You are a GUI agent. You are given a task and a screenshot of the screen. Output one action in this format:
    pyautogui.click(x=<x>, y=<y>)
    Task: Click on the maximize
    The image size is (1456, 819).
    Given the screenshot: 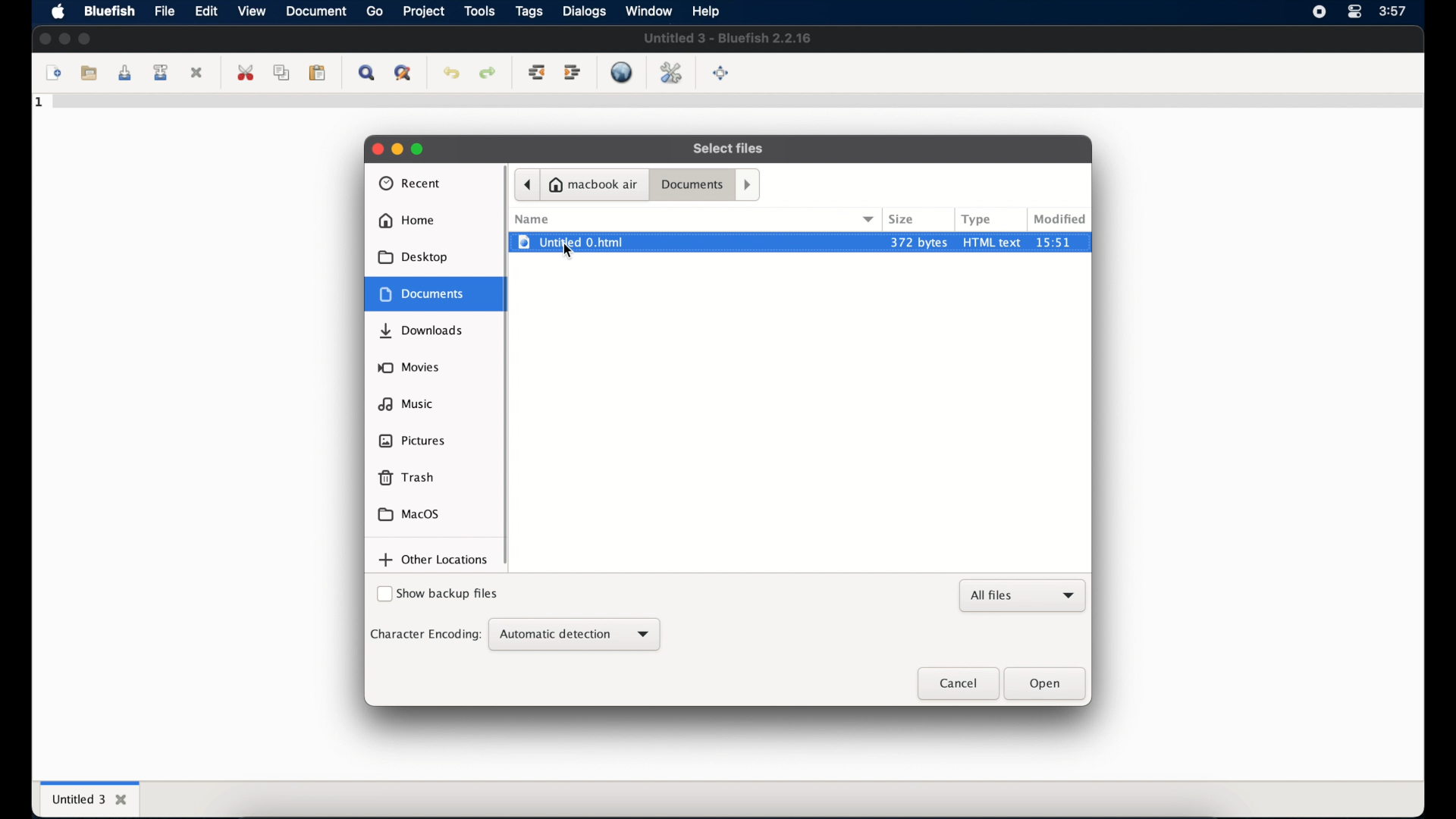 What is the action you would take?
    pyautogui.click(x=85, y=38)
    